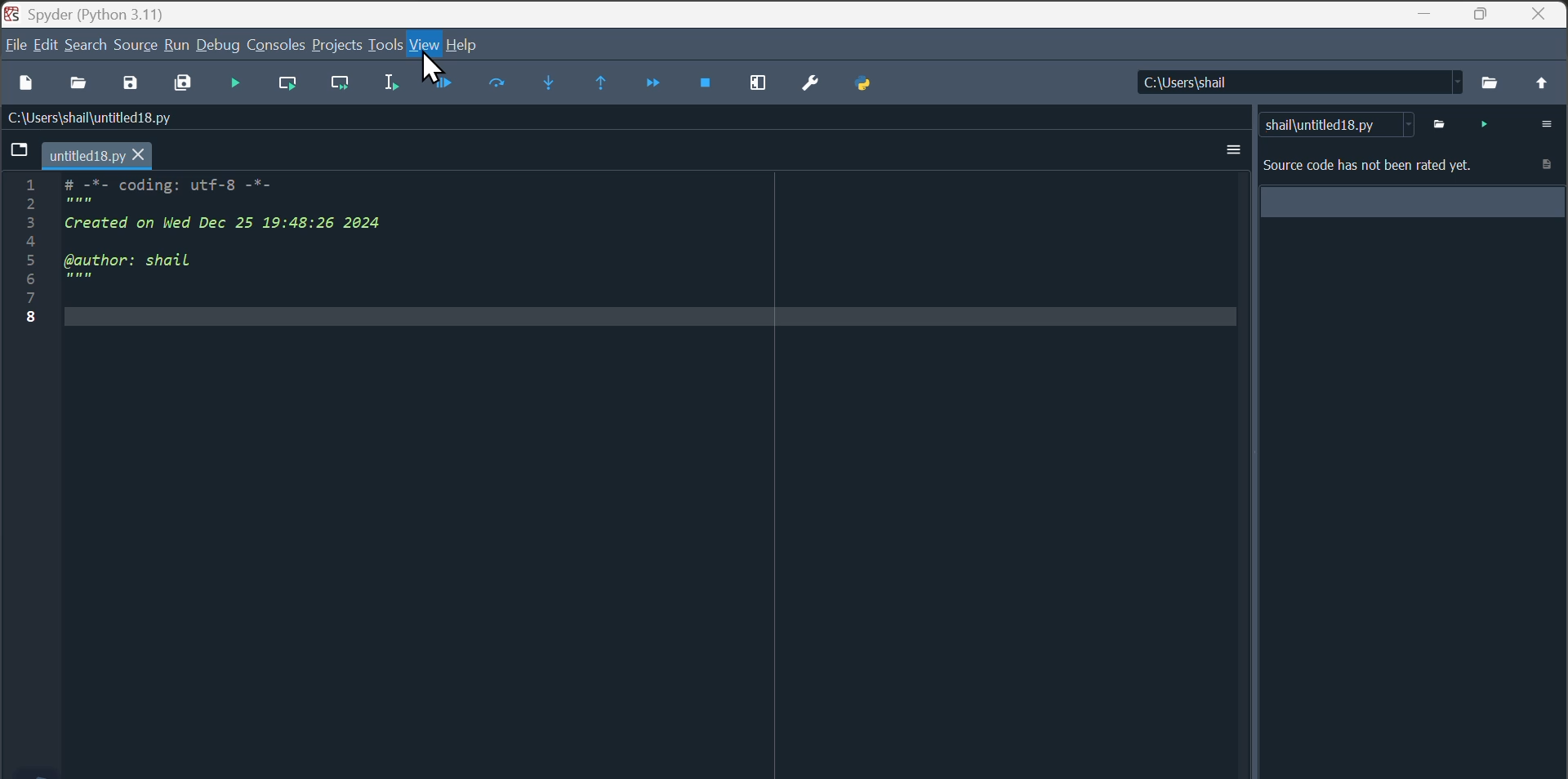 The image size is (1568, 779). I want to click on Project, so click(339, 44).